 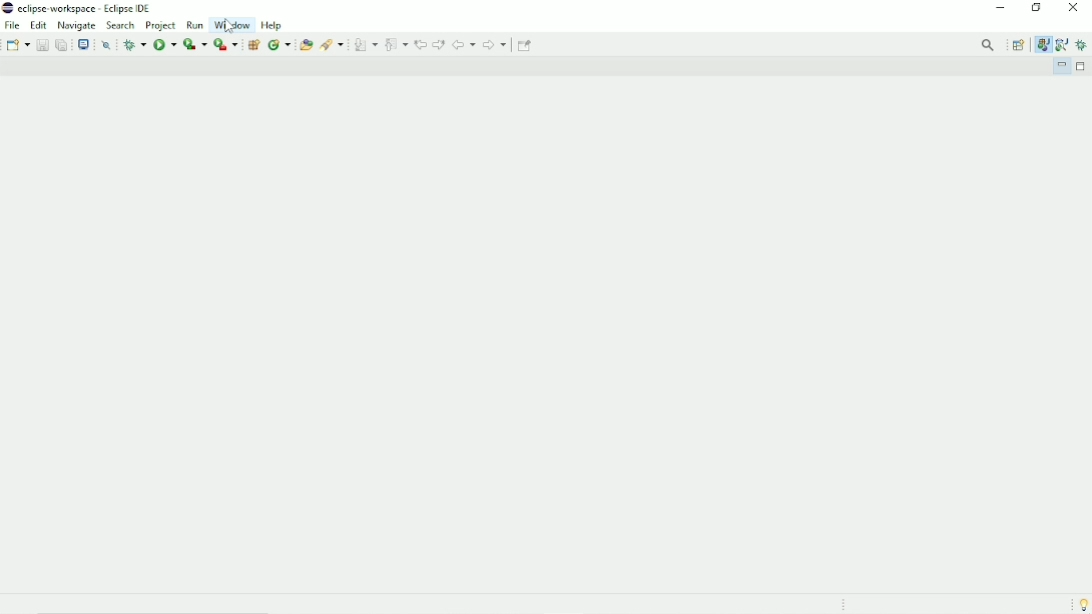 I want to click on Close, so click(x=1074, y=11).